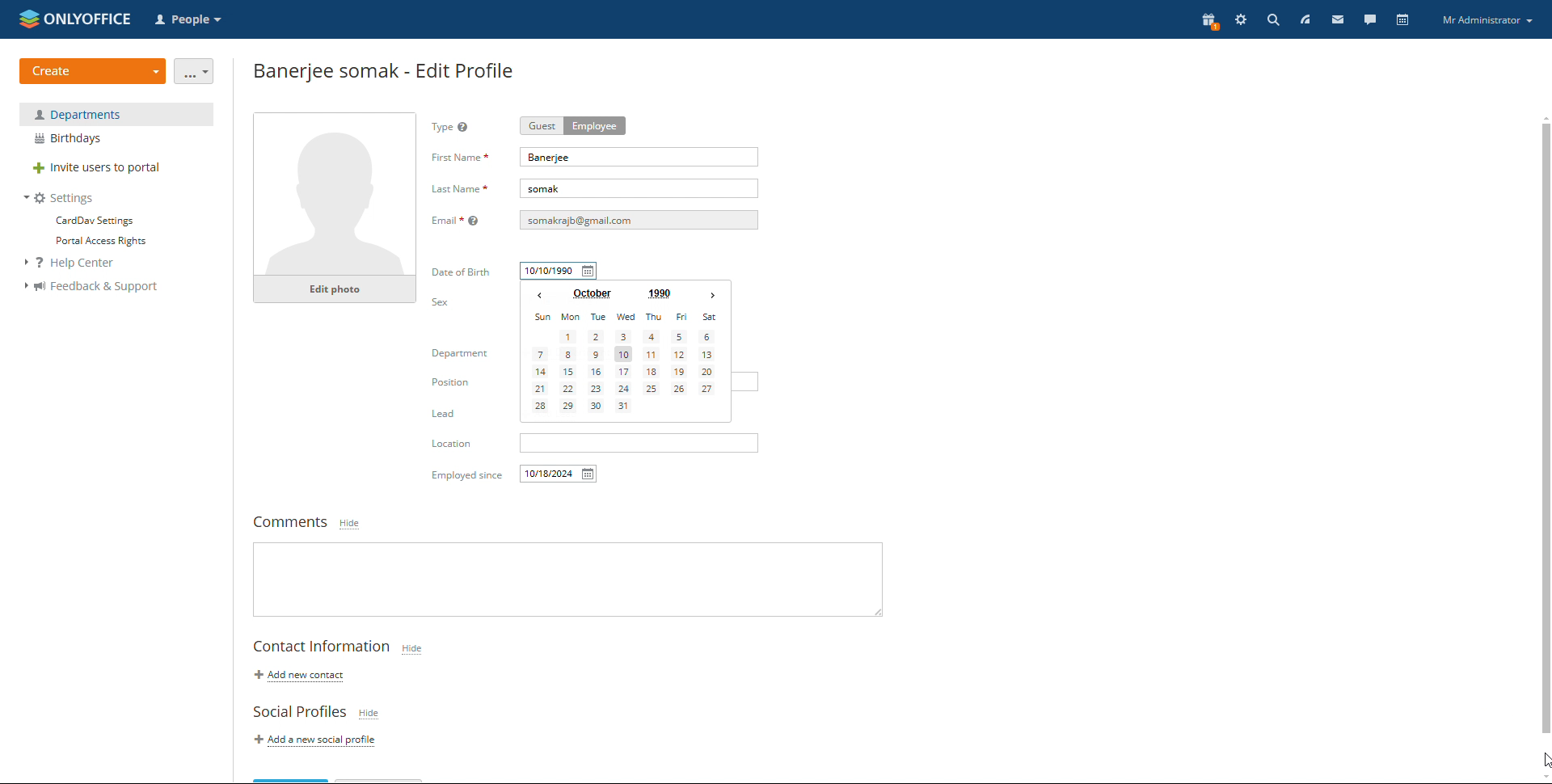 Image resolution: width=1552 pixels, height=784 pixels. What do you see at coordinates (386, 70) in the screenshot?
I see `employee edit profile` at bounding box center [386, 70].